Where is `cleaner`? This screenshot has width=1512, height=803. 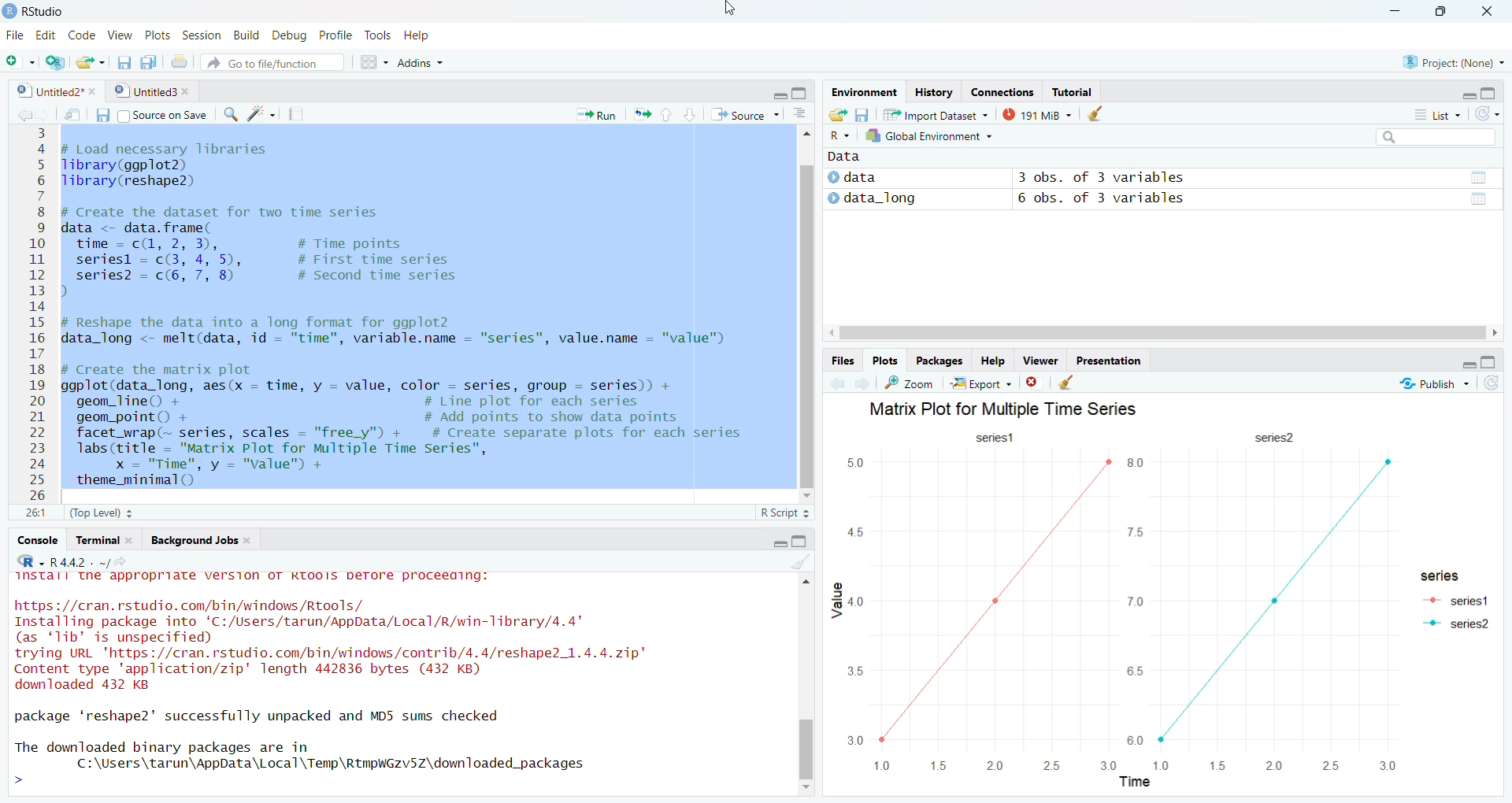
cleaner is located at coordinates (1102, 113).